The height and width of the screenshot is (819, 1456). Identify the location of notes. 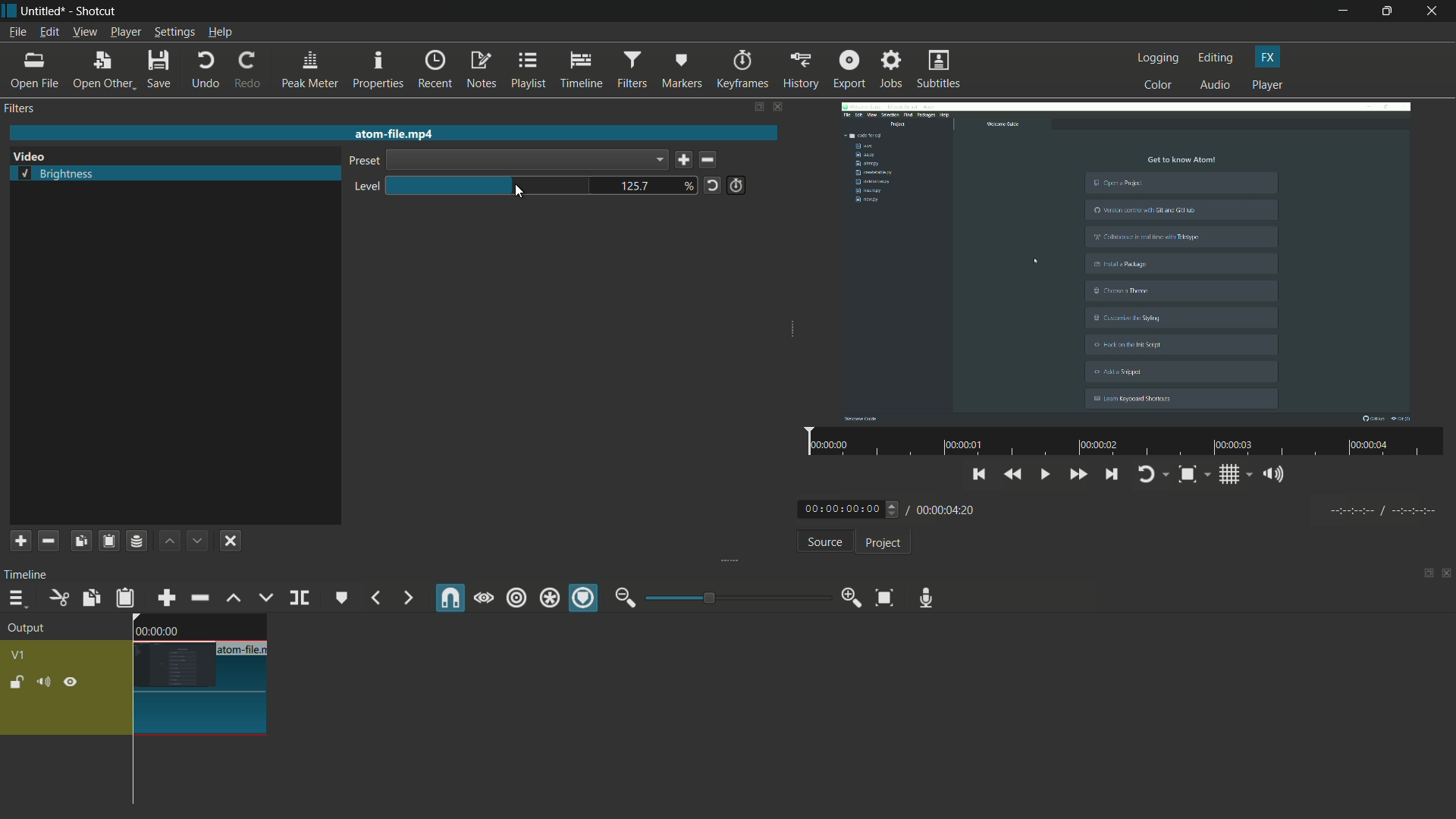
(483, 71).